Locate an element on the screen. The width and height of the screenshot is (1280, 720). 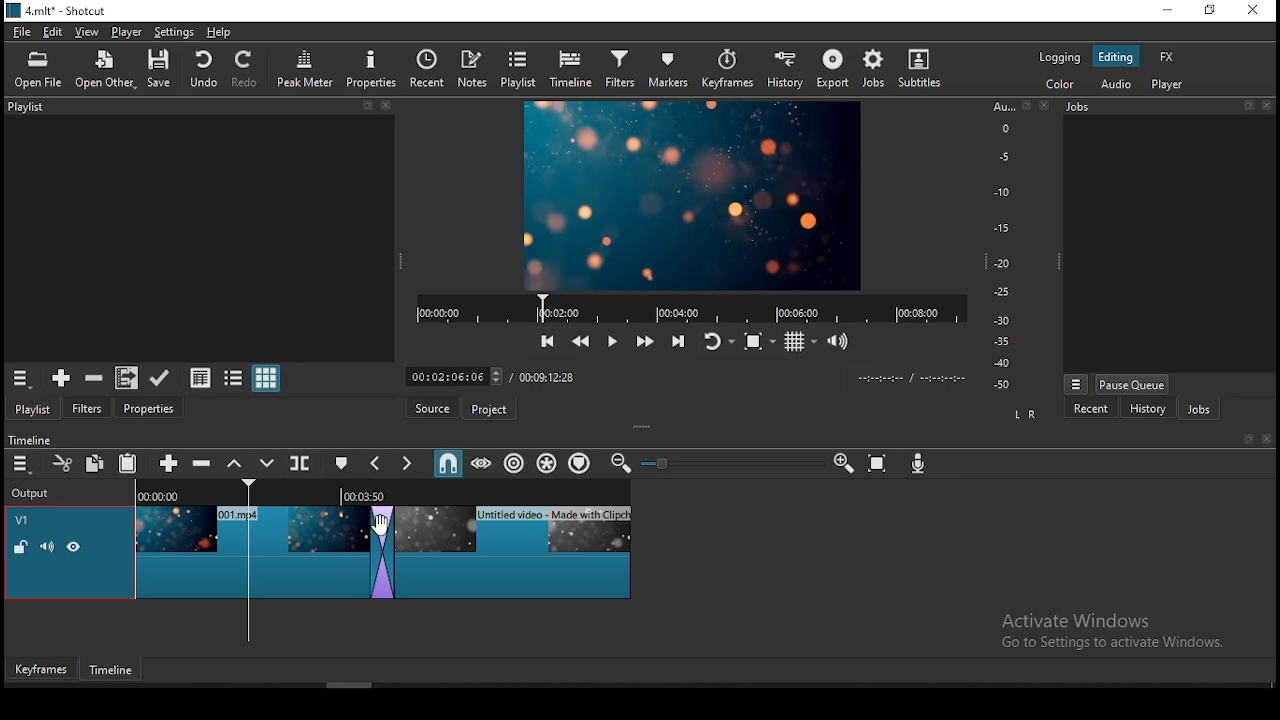
properties is located at coordinates (371, 68).